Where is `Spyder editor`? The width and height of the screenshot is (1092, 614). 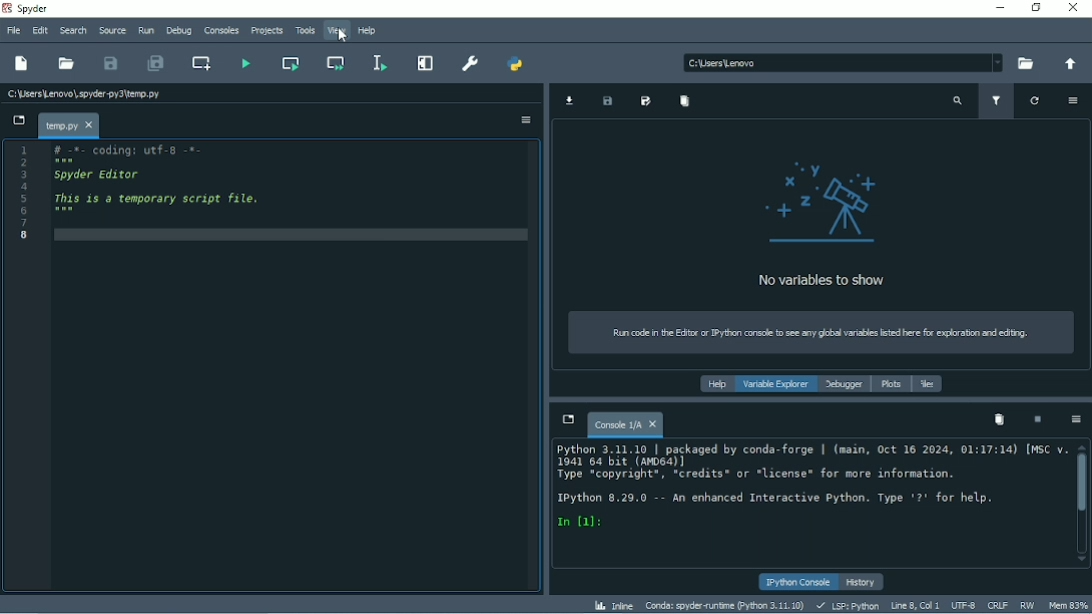
Spyder editor is located at coordinates (100, 175).